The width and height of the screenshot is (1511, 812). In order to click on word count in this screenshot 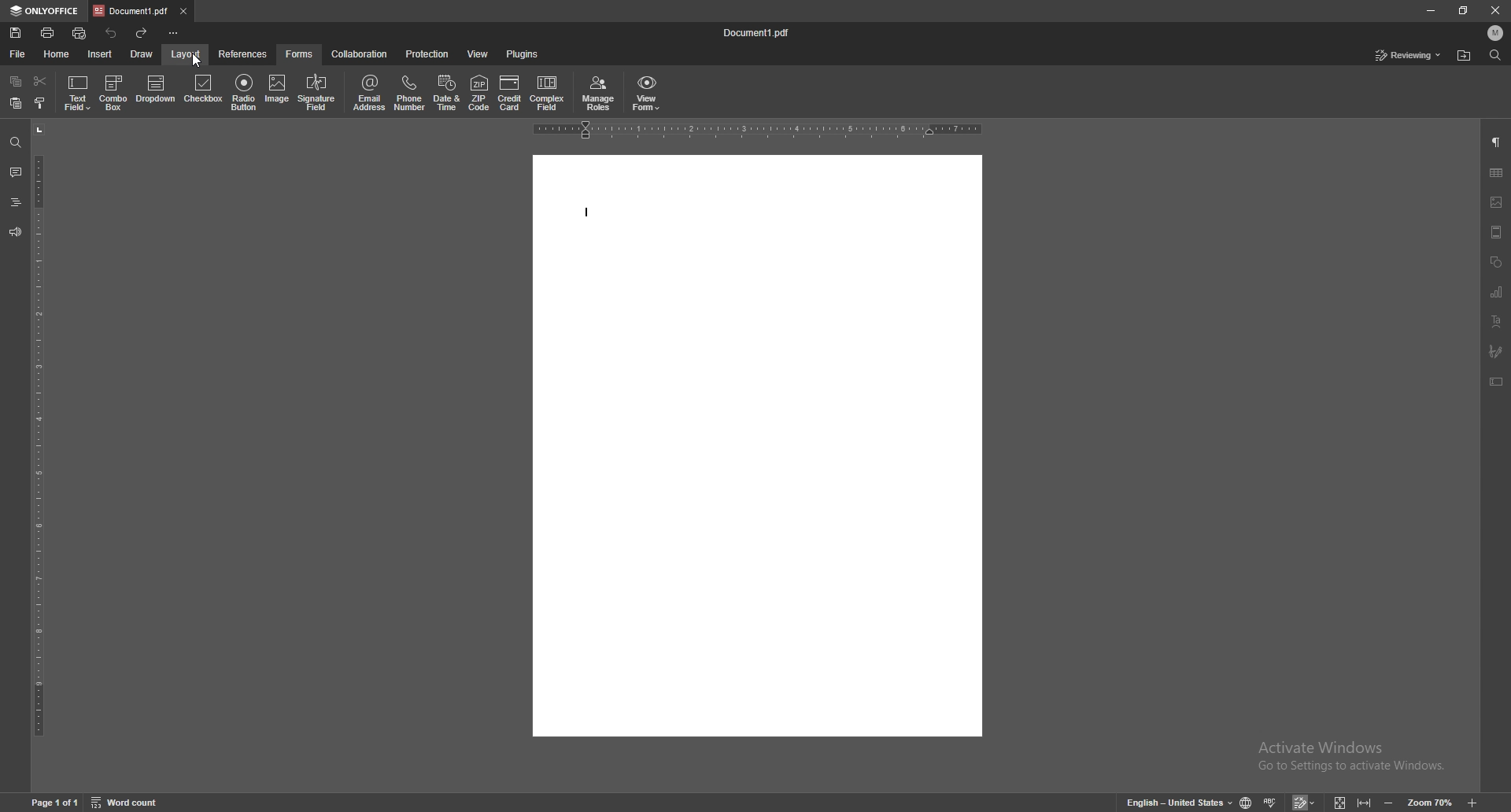, I will do `click(125, 803)`.